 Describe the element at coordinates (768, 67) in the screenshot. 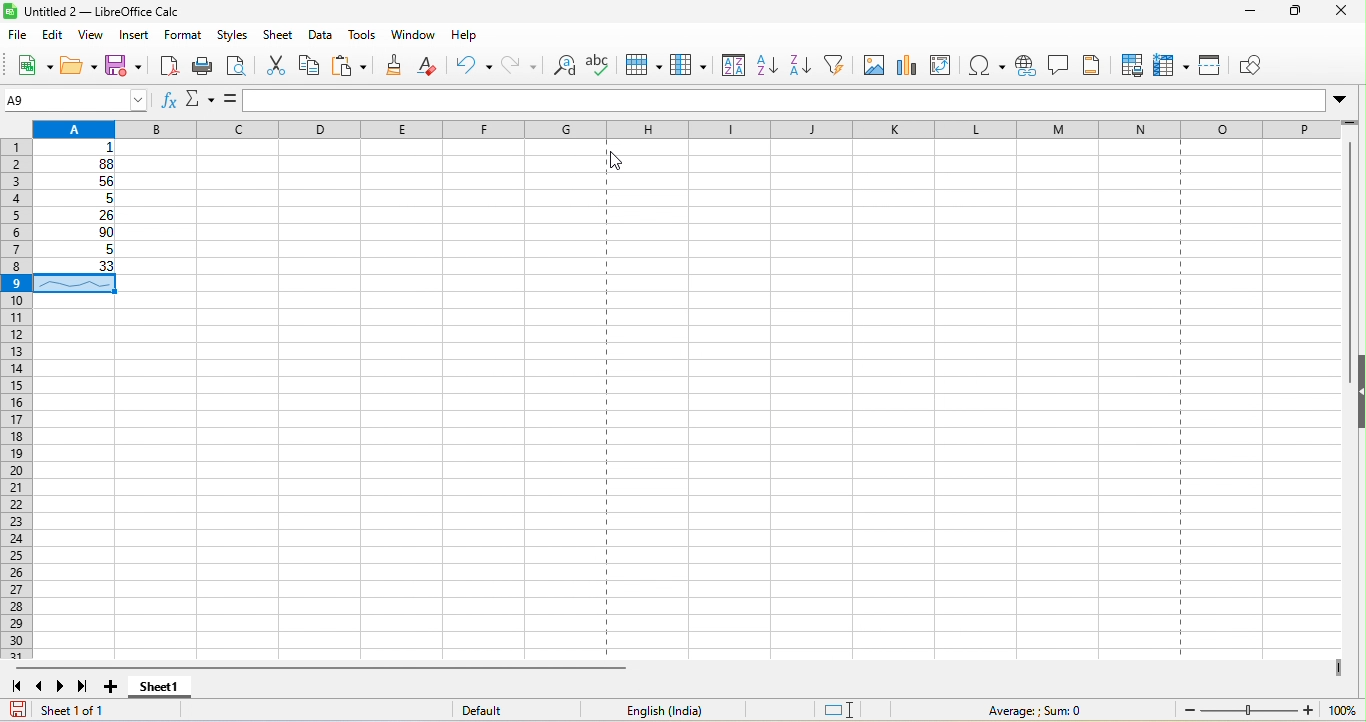

I see `sort ascending` at that location.